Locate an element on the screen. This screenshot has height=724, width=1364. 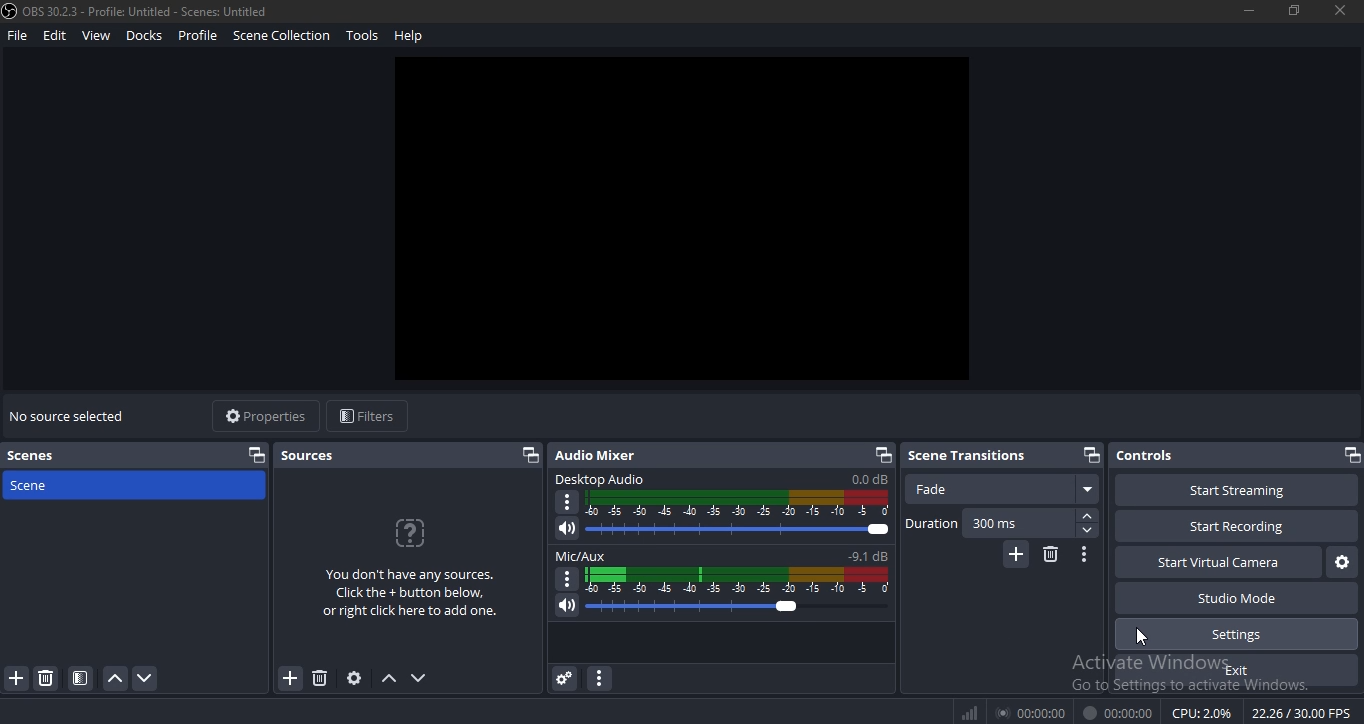
help is located at coordinates (410, 35).